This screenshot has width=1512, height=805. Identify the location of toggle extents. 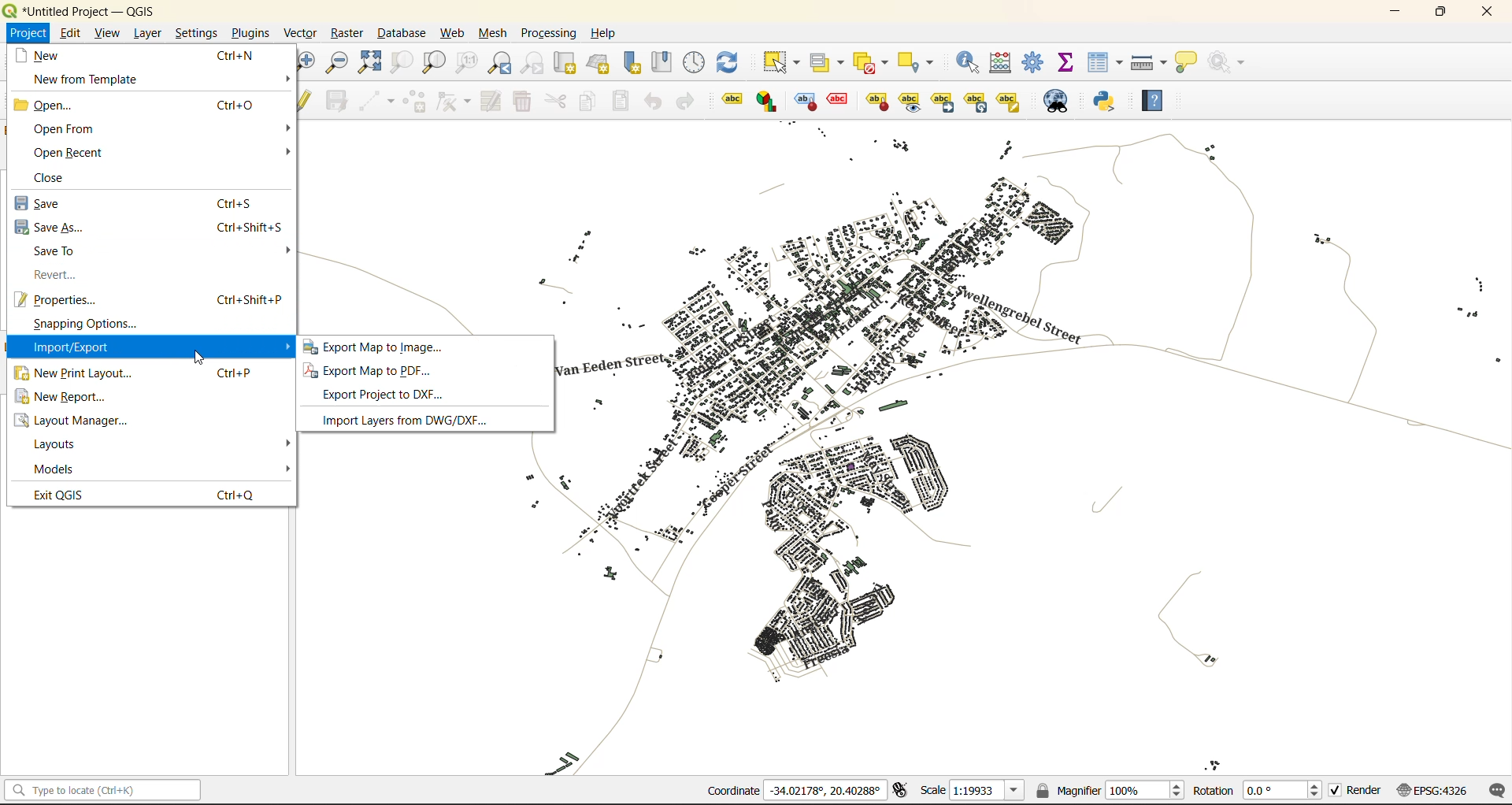
(899, 791).